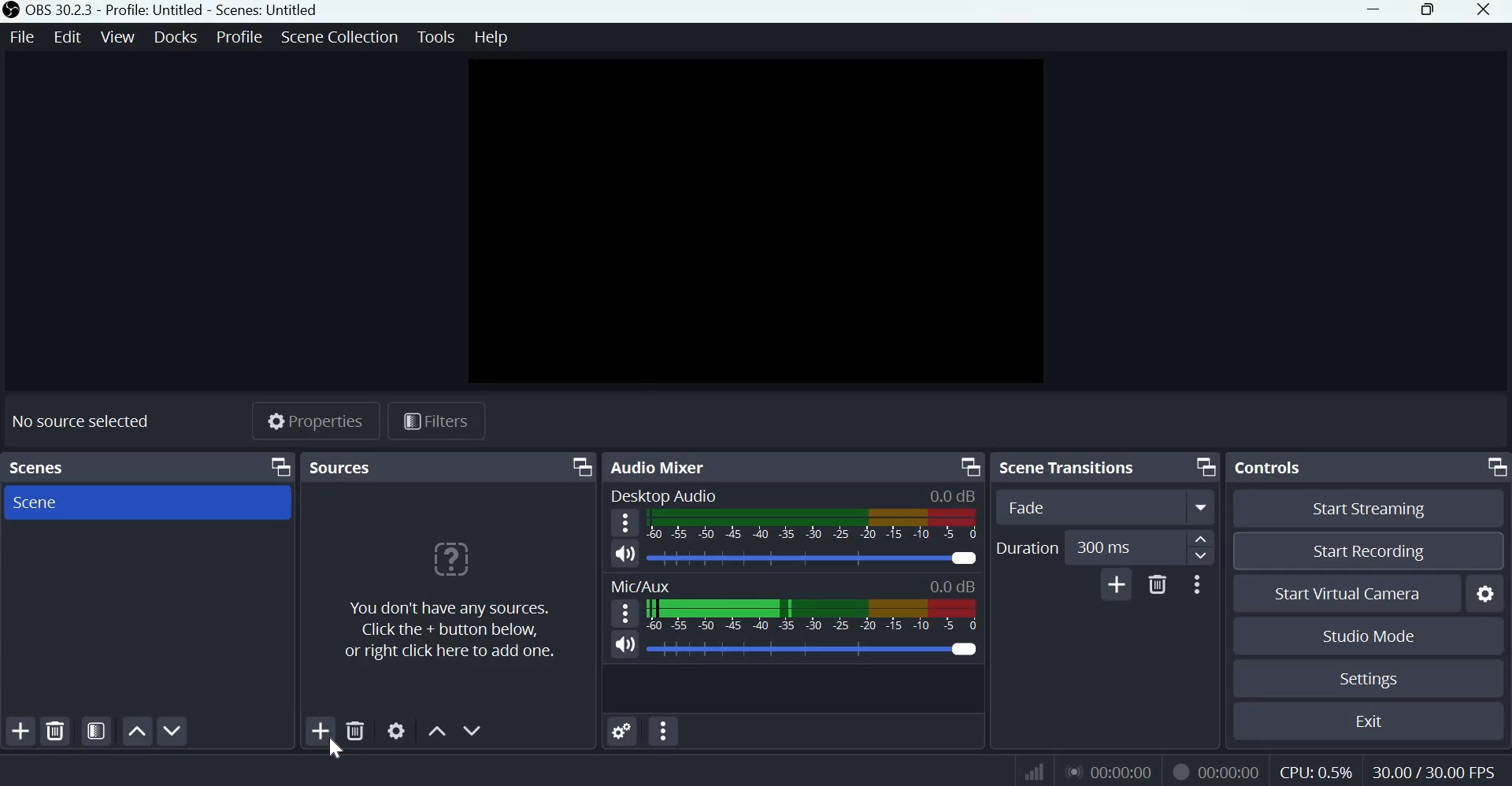  Describe the element at coordinates (340, 35) in the screenshot. I see `scene collection` at that location.